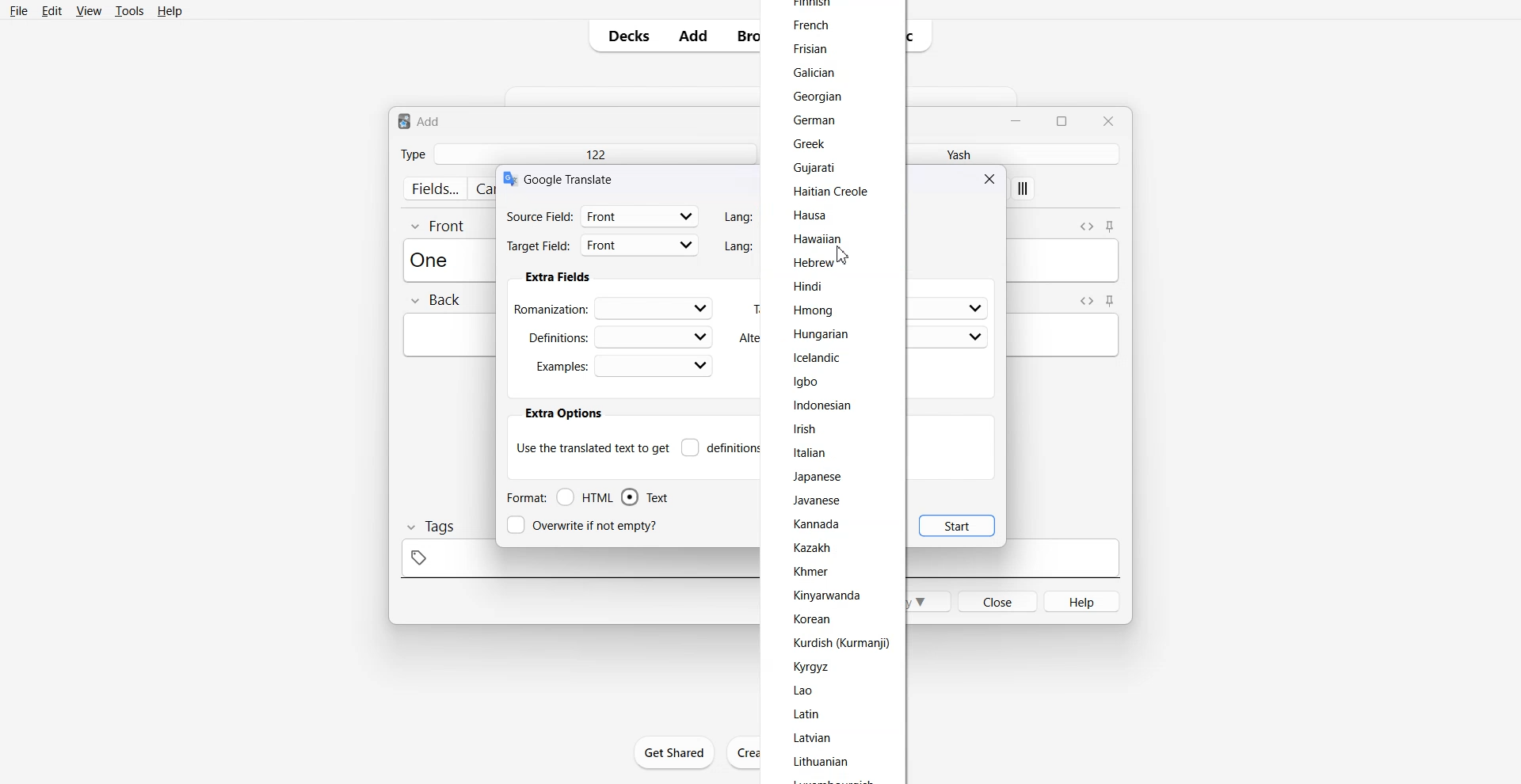 This screenshot has width=1521, height=784. Describe the element at coordinates (957, 525) in the screenshot. I see `Start` at that location.